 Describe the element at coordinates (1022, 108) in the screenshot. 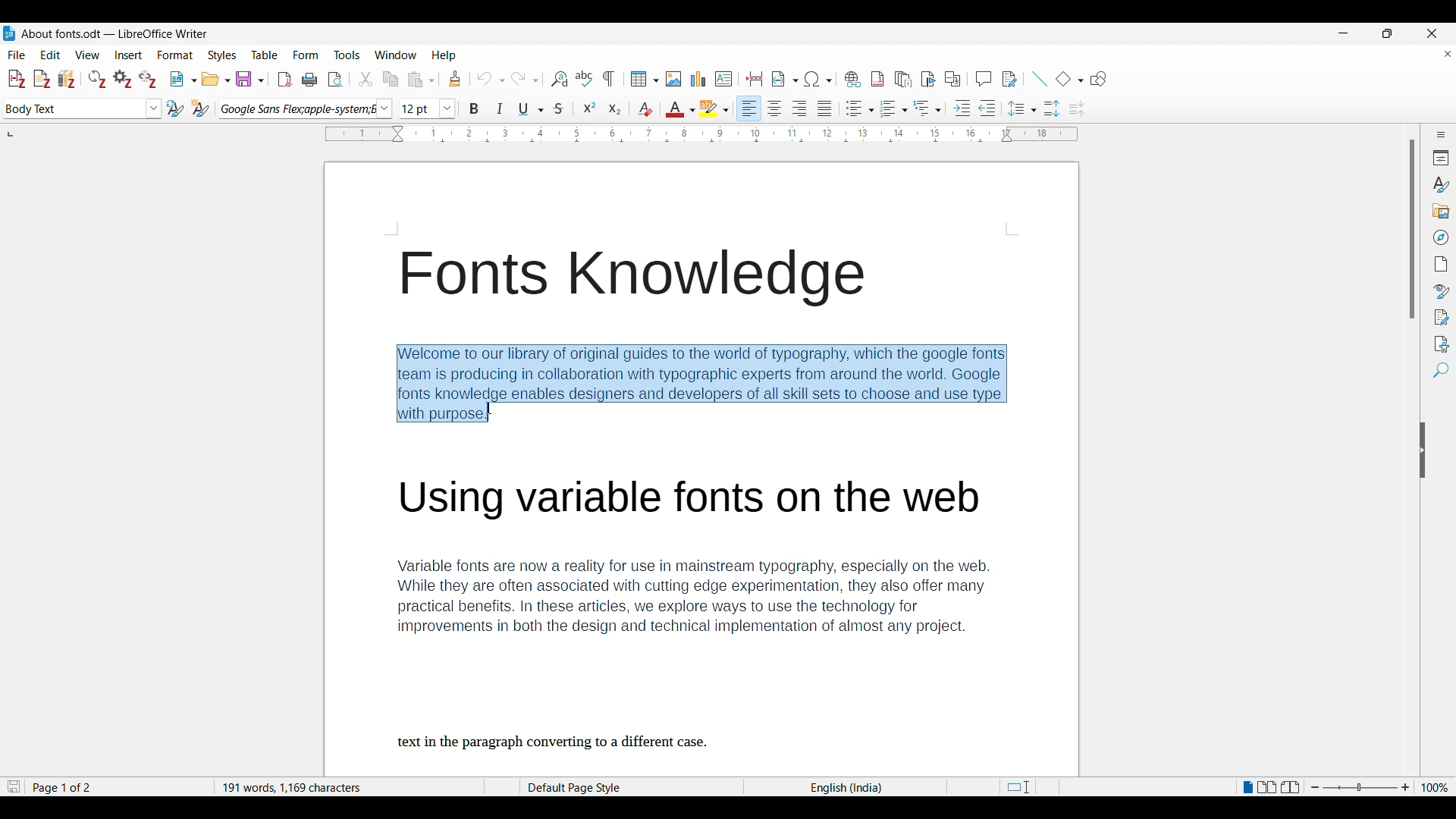

I see `Set line spacing` at that location.